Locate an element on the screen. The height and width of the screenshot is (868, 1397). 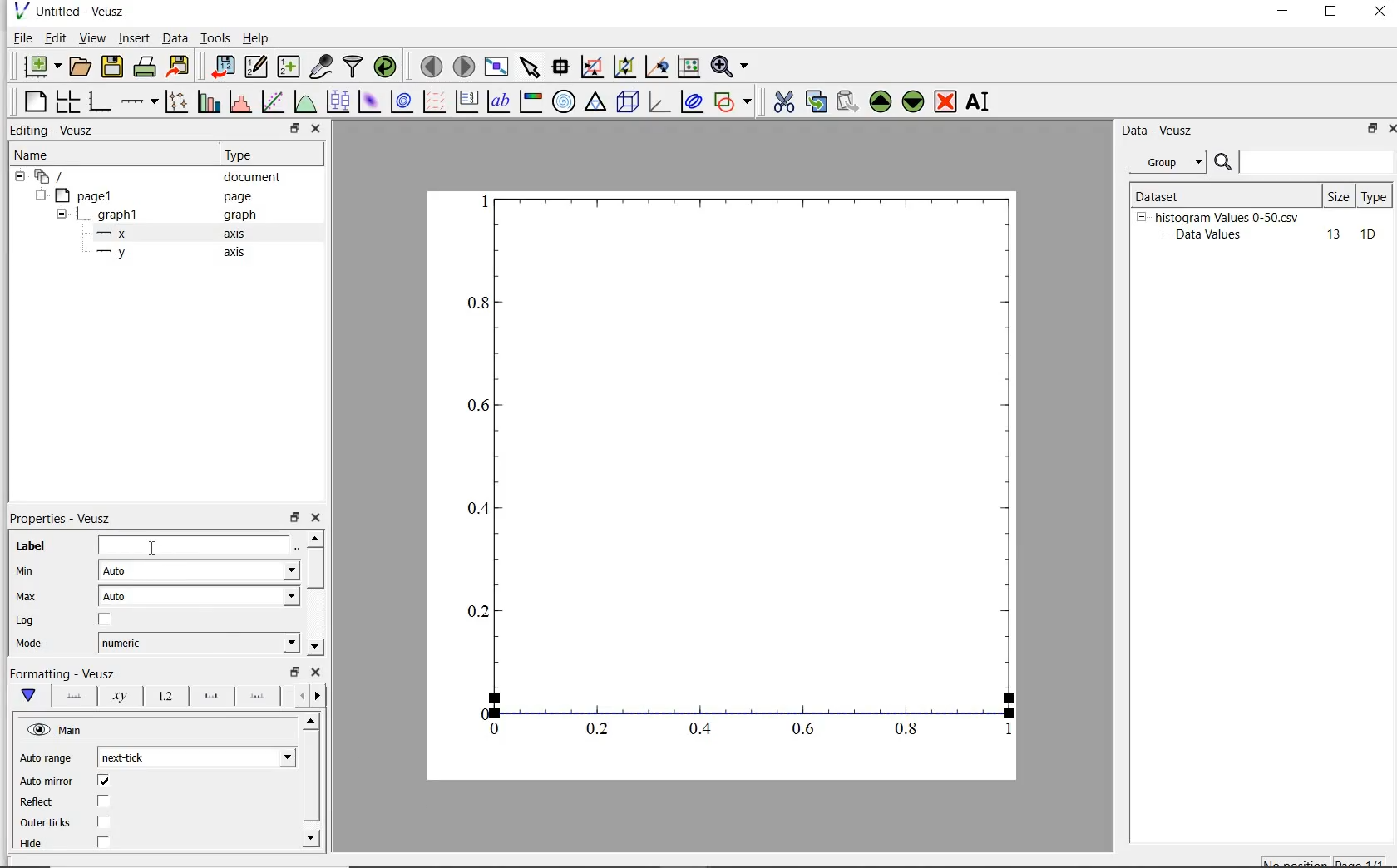
main formatting is located at coordinates (31, 696).